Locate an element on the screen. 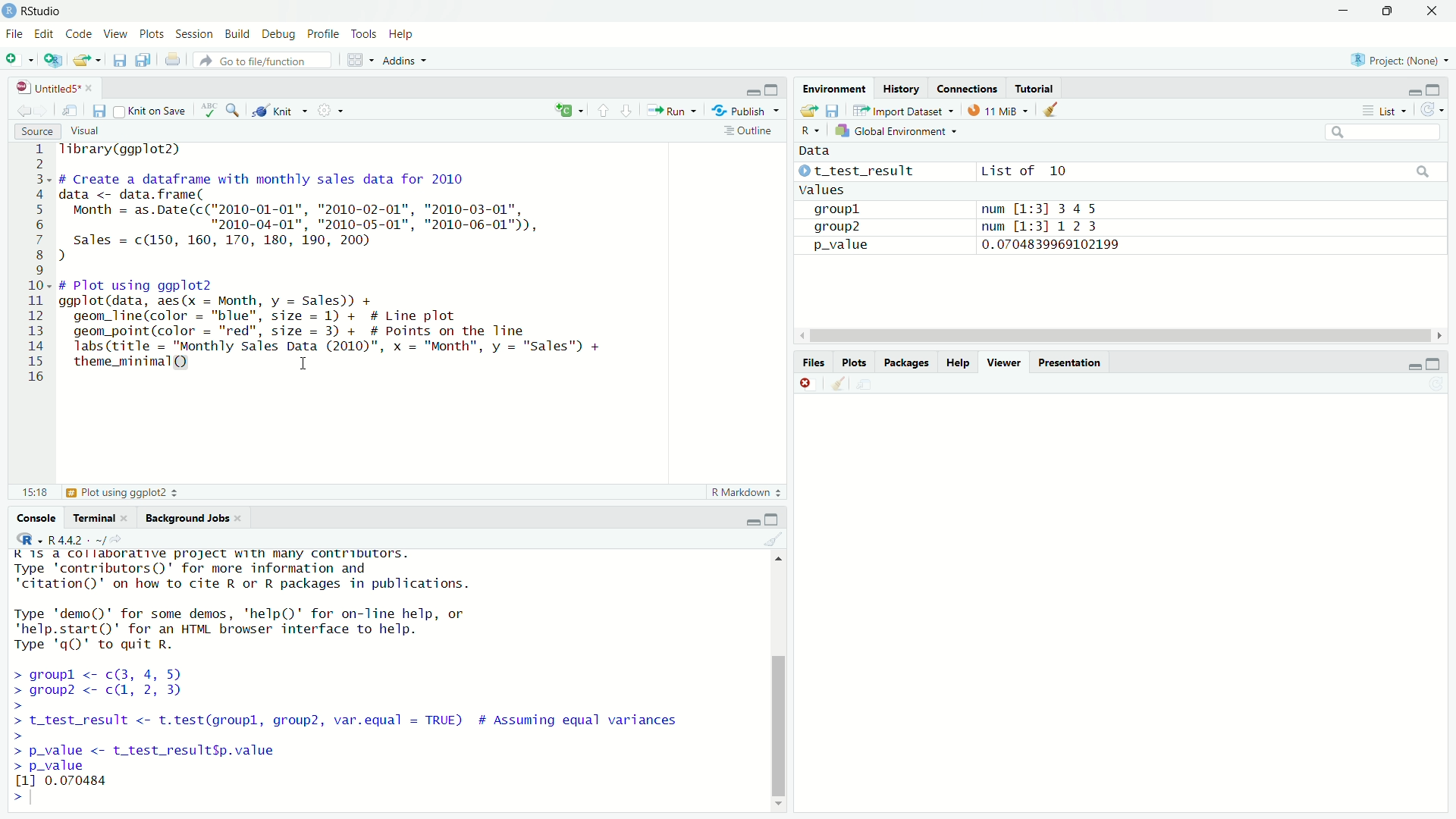 The height and width of the screenshot is (819, 1456). Background Jobs is located at coordinates (195, 518).